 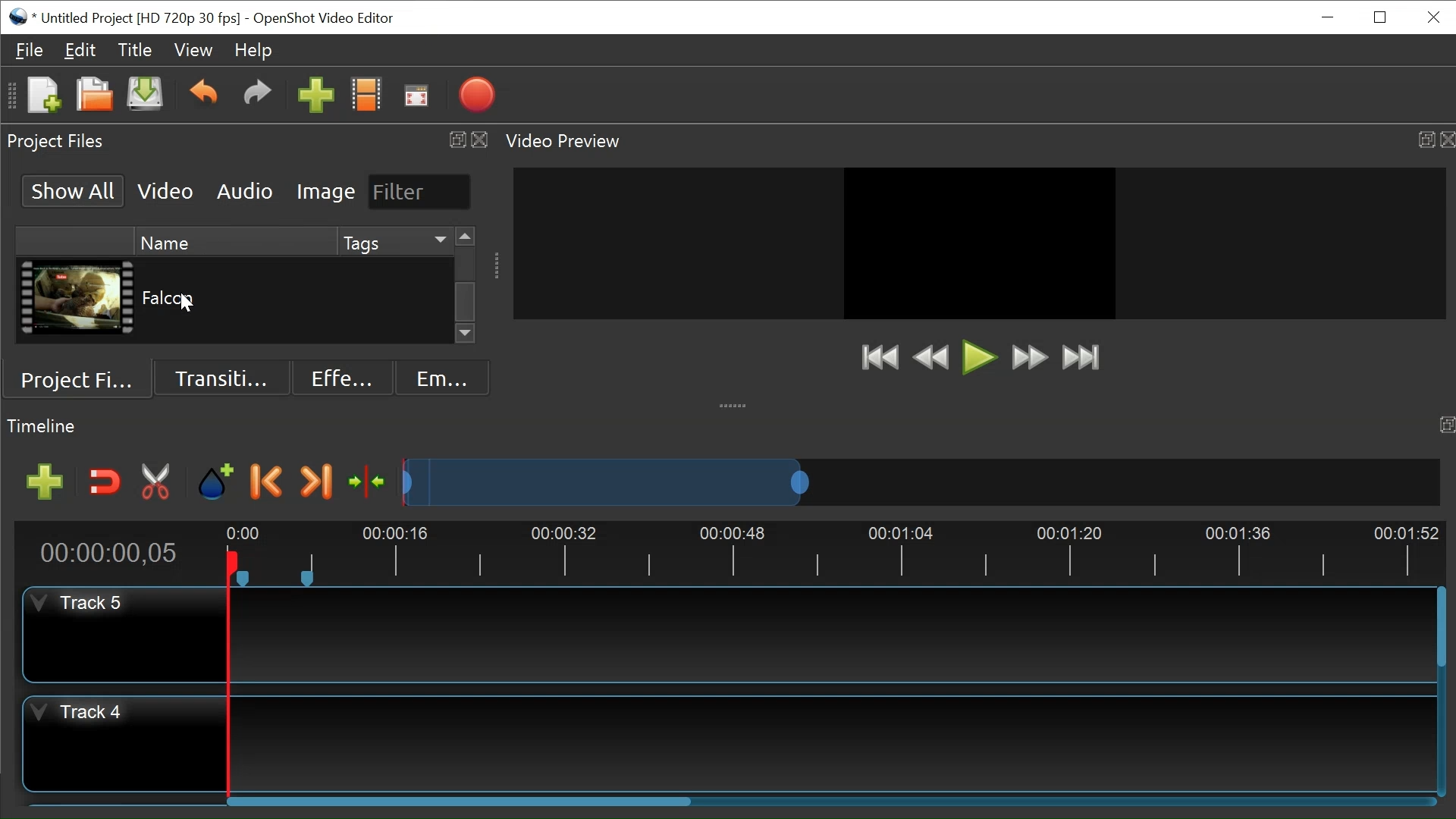 I want to click on Tags, so click(x=393, y=240).